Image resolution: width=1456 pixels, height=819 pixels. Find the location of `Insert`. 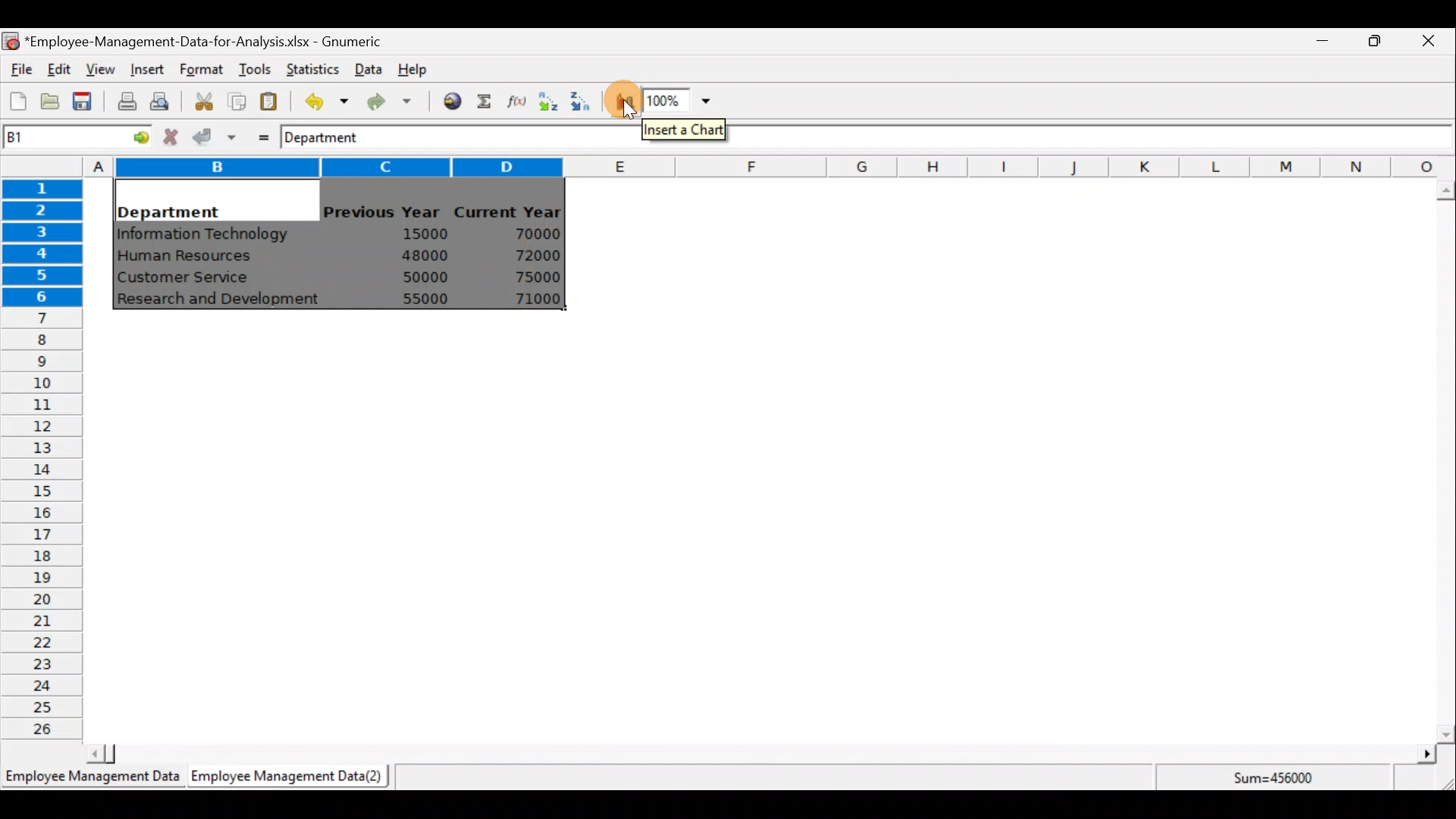

Insert is located at coordinates (146, 70).